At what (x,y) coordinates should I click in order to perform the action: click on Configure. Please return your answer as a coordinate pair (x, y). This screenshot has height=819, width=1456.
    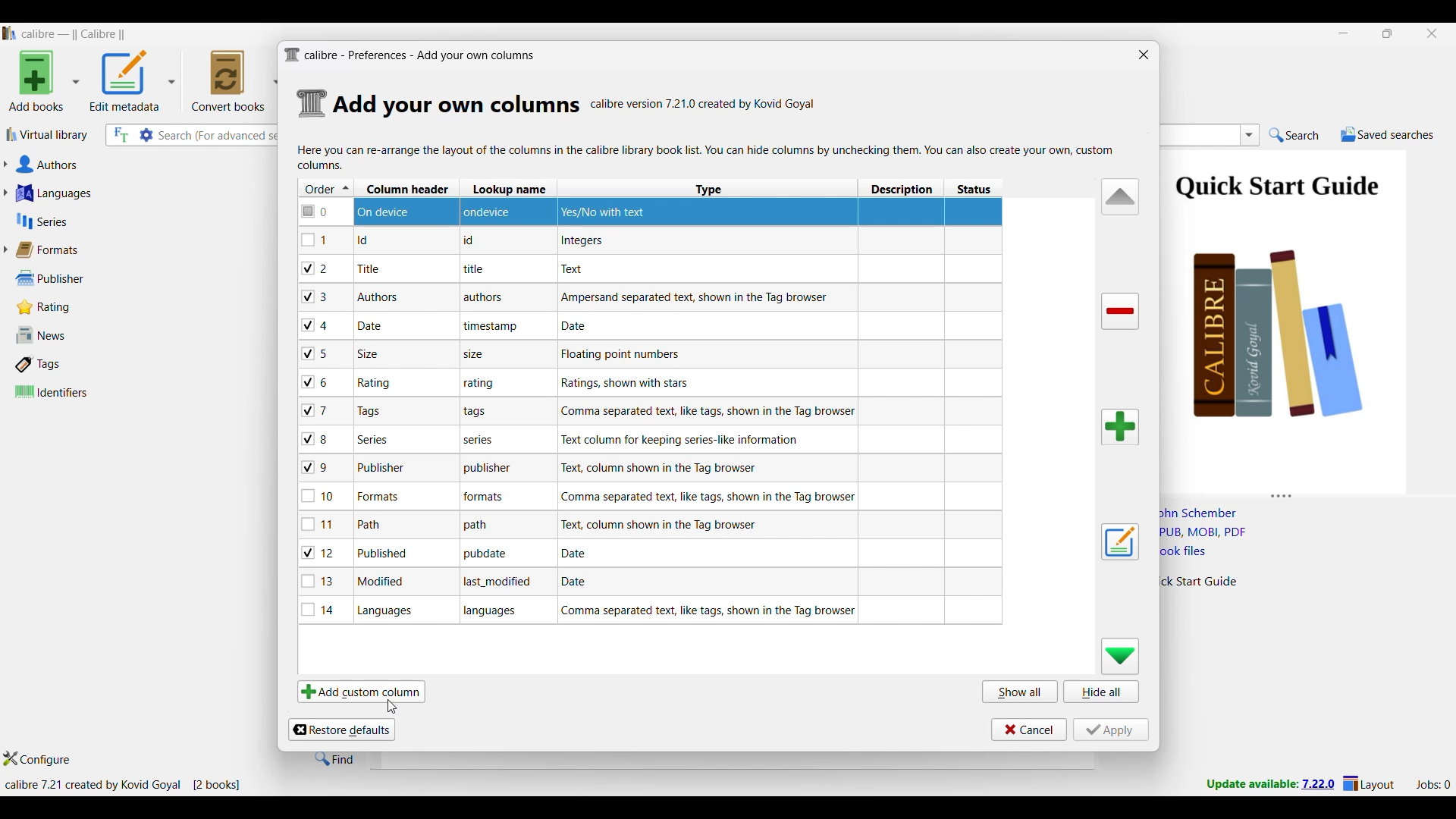
    Looking at the image, I should click on (37, 758).